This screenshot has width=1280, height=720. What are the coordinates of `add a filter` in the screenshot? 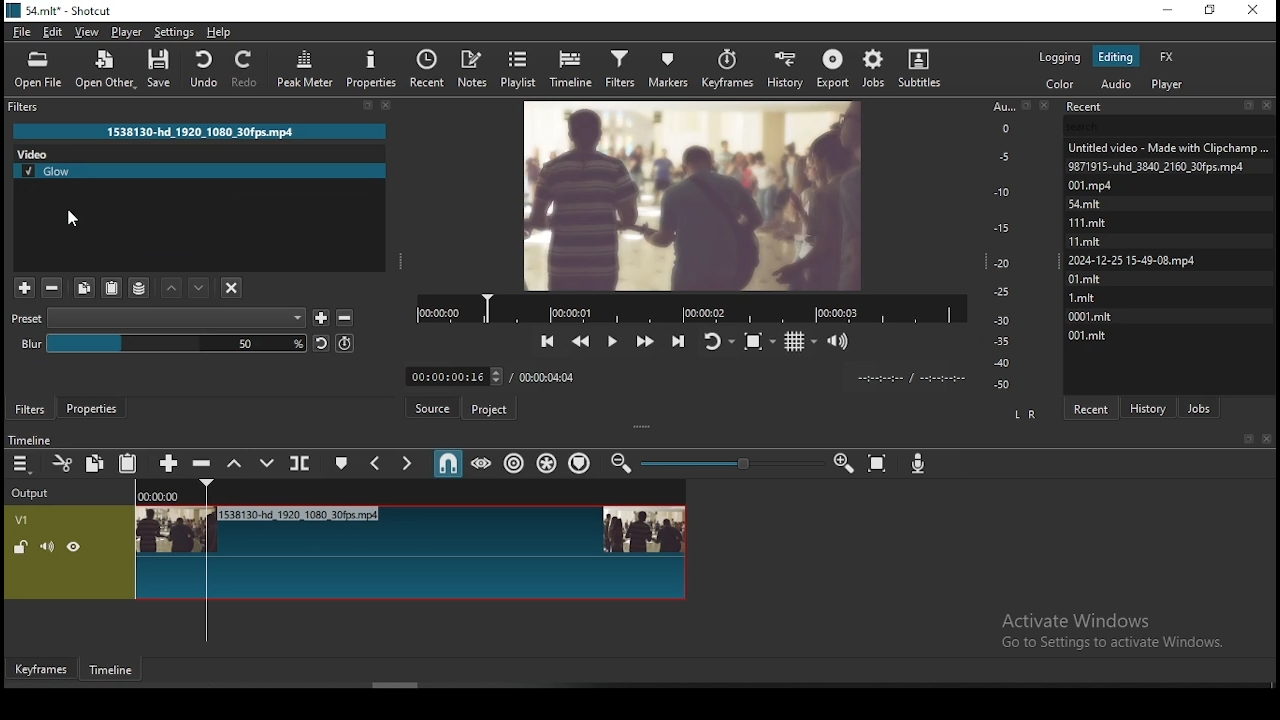 It's located at (24, 289).